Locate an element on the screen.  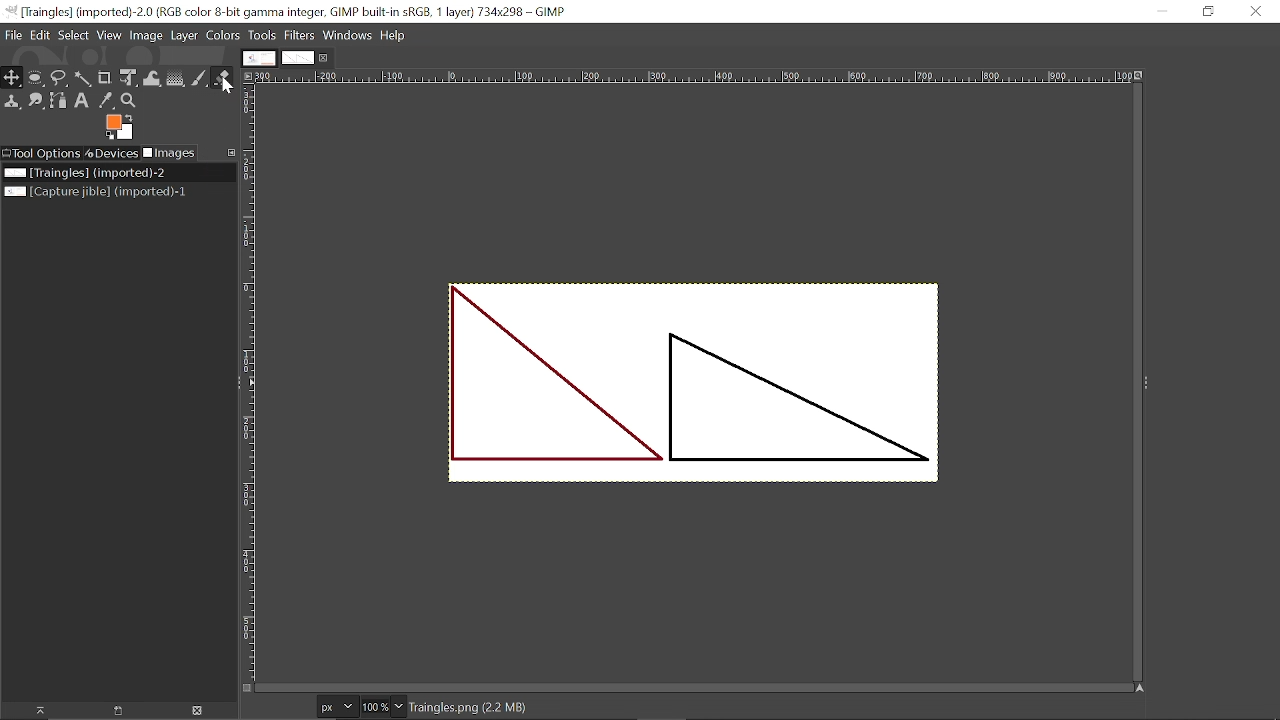
Move tool is located at coordinates (11, 78).